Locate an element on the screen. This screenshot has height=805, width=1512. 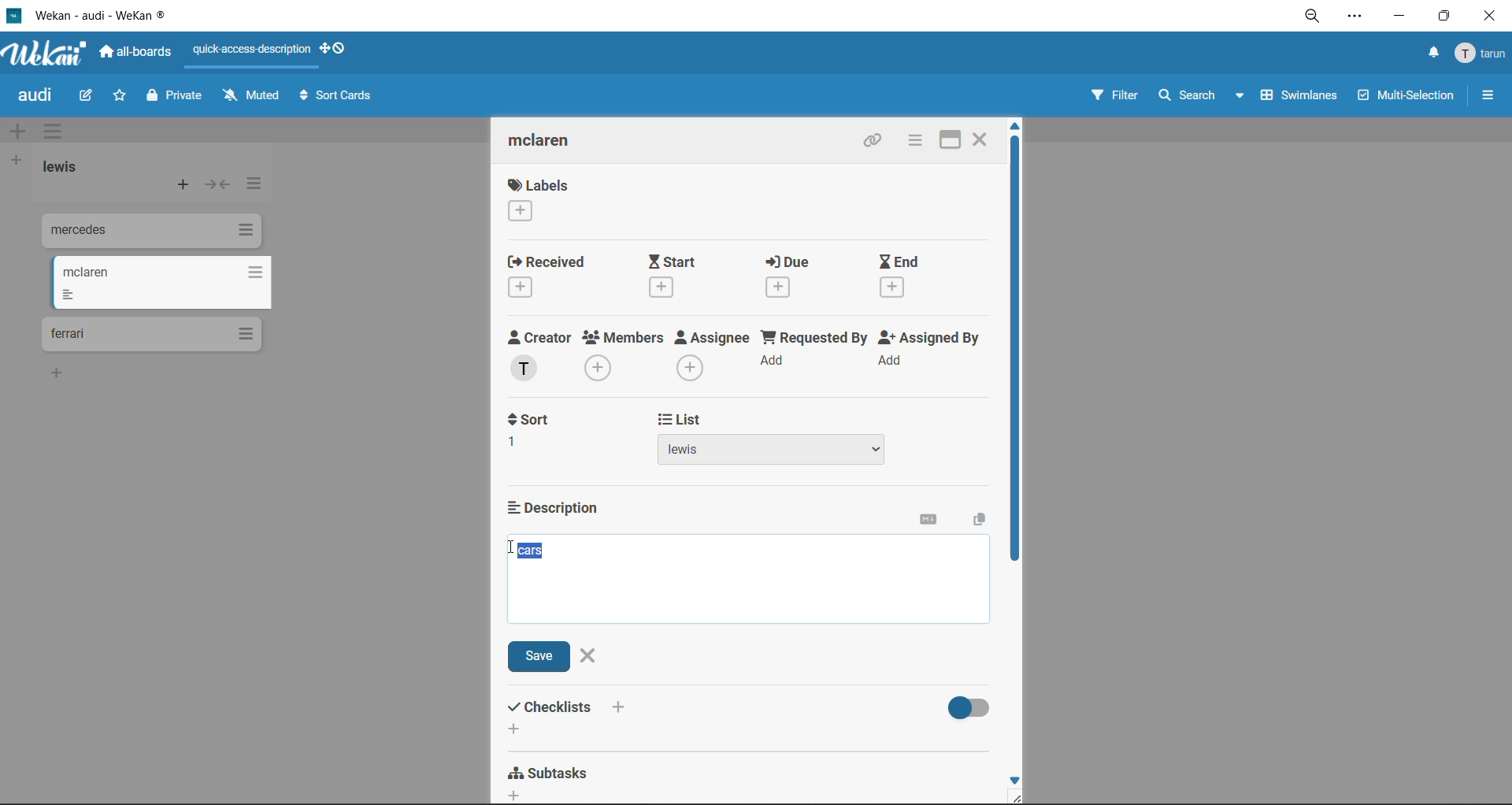
star is located at coordinates (117, 97).